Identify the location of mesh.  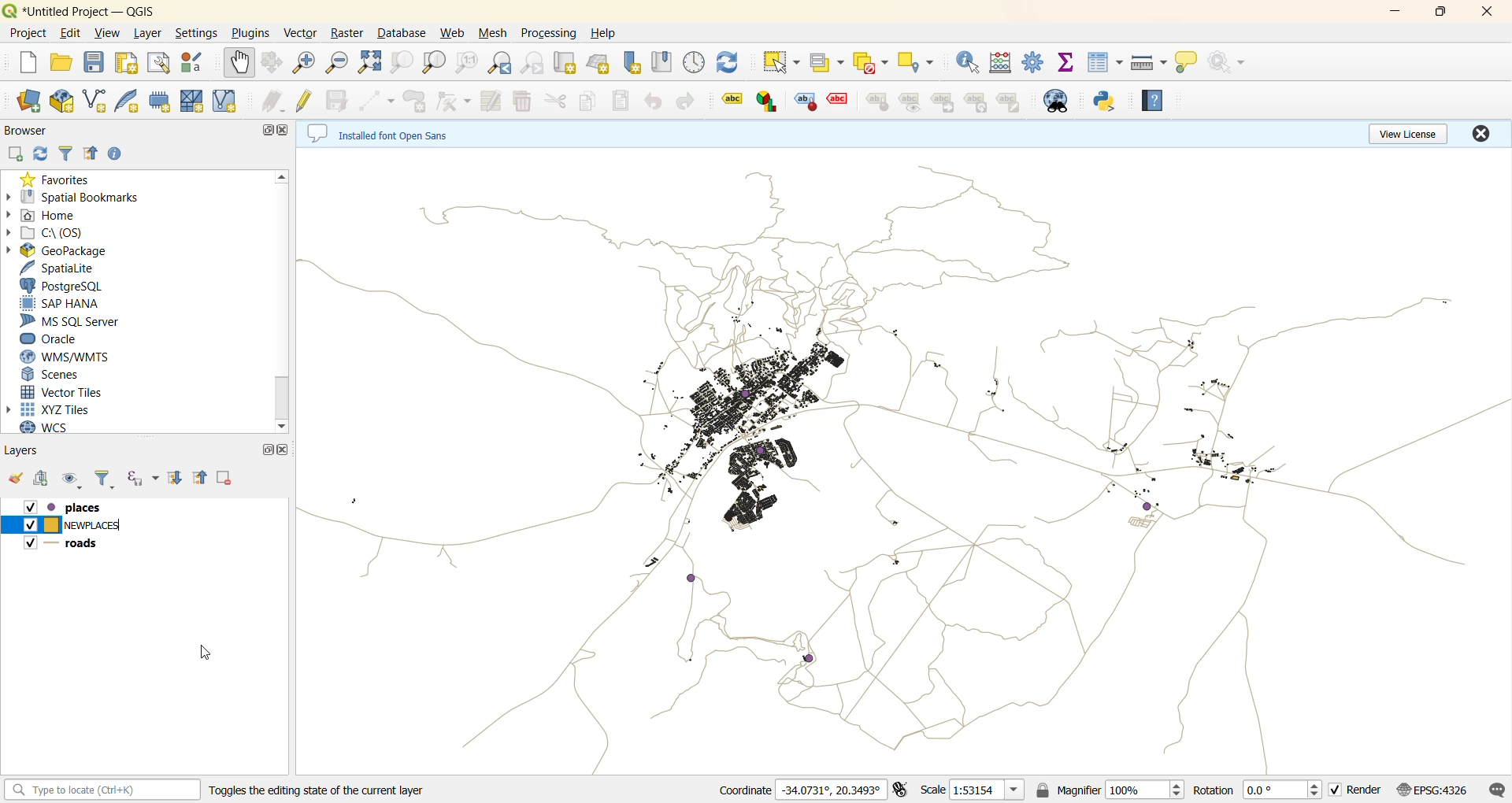
(495, 34).